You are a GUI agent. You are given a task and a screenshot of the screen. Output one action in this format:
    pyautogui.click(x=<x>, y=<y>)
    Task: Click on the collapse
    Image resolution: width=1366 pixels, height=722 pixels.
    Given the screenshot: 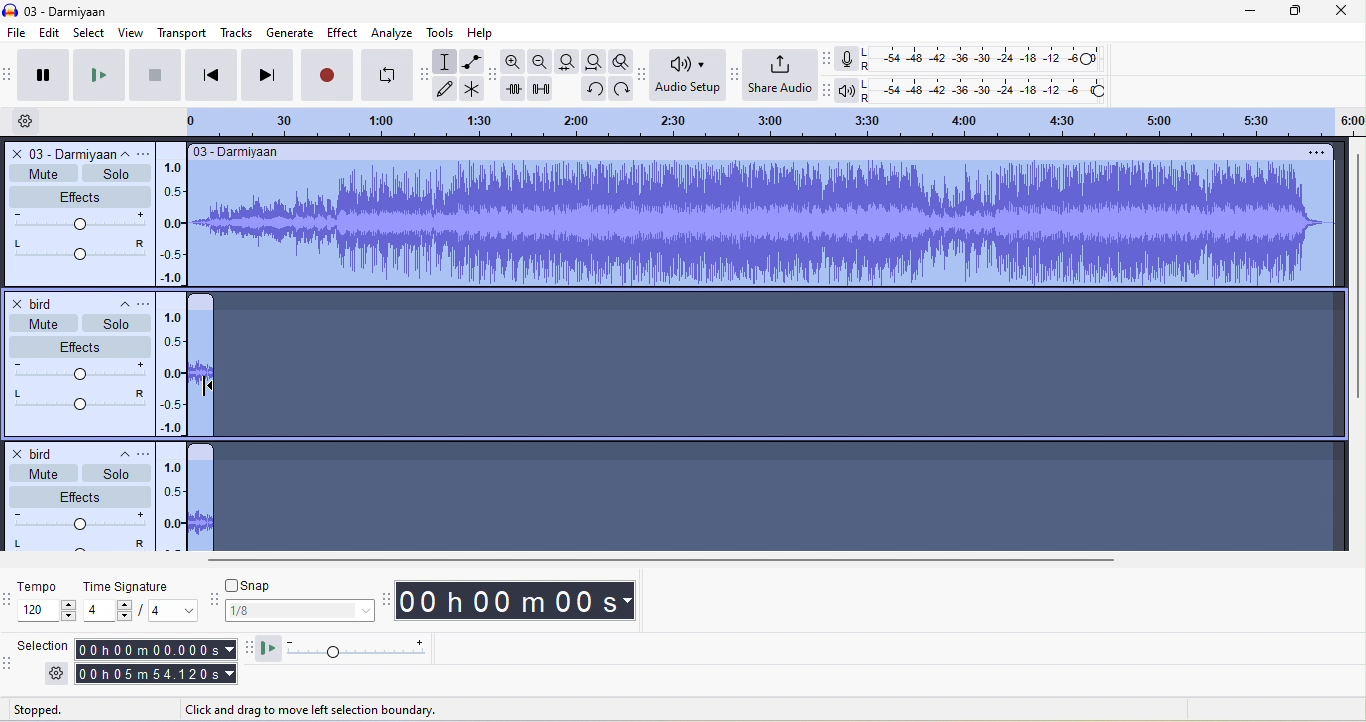 What is the action you would take?
    pyautogui.click(x=117, y=454)
    